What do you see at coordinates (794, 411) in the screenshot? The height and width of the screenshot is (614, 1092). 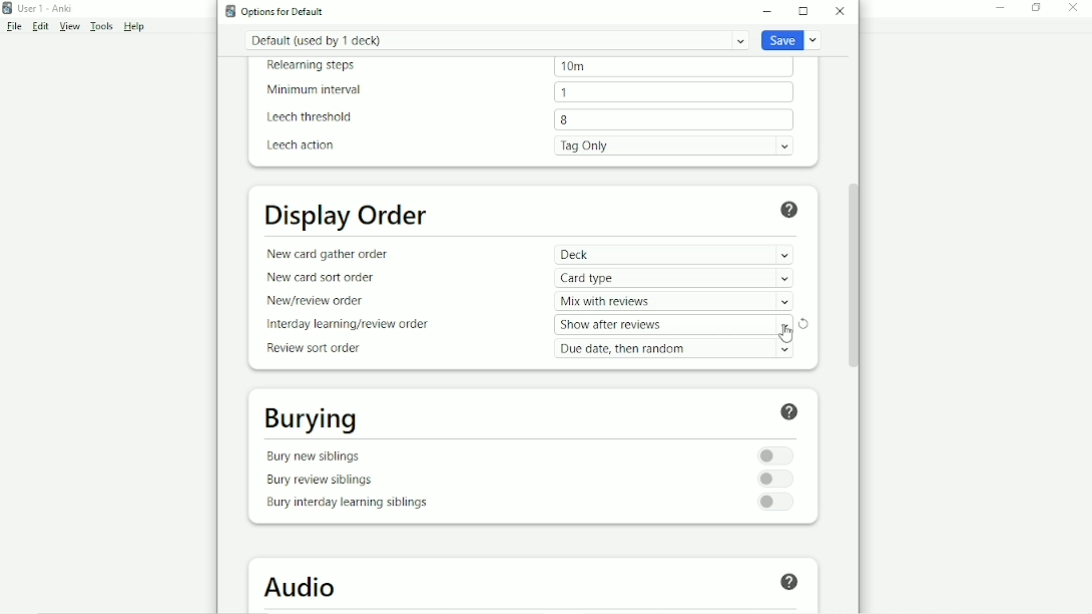 I see `Help` at bounding box center [794, 411].